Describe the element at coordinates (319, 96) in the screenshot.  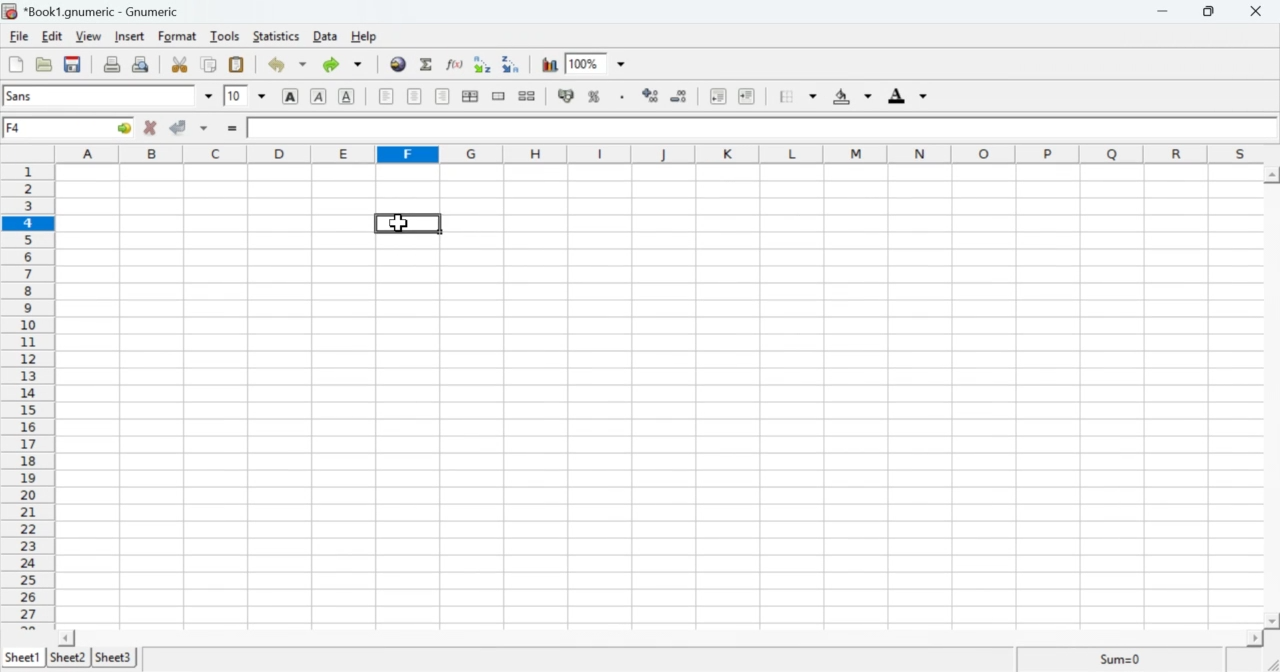
I see `Italics` at that location.